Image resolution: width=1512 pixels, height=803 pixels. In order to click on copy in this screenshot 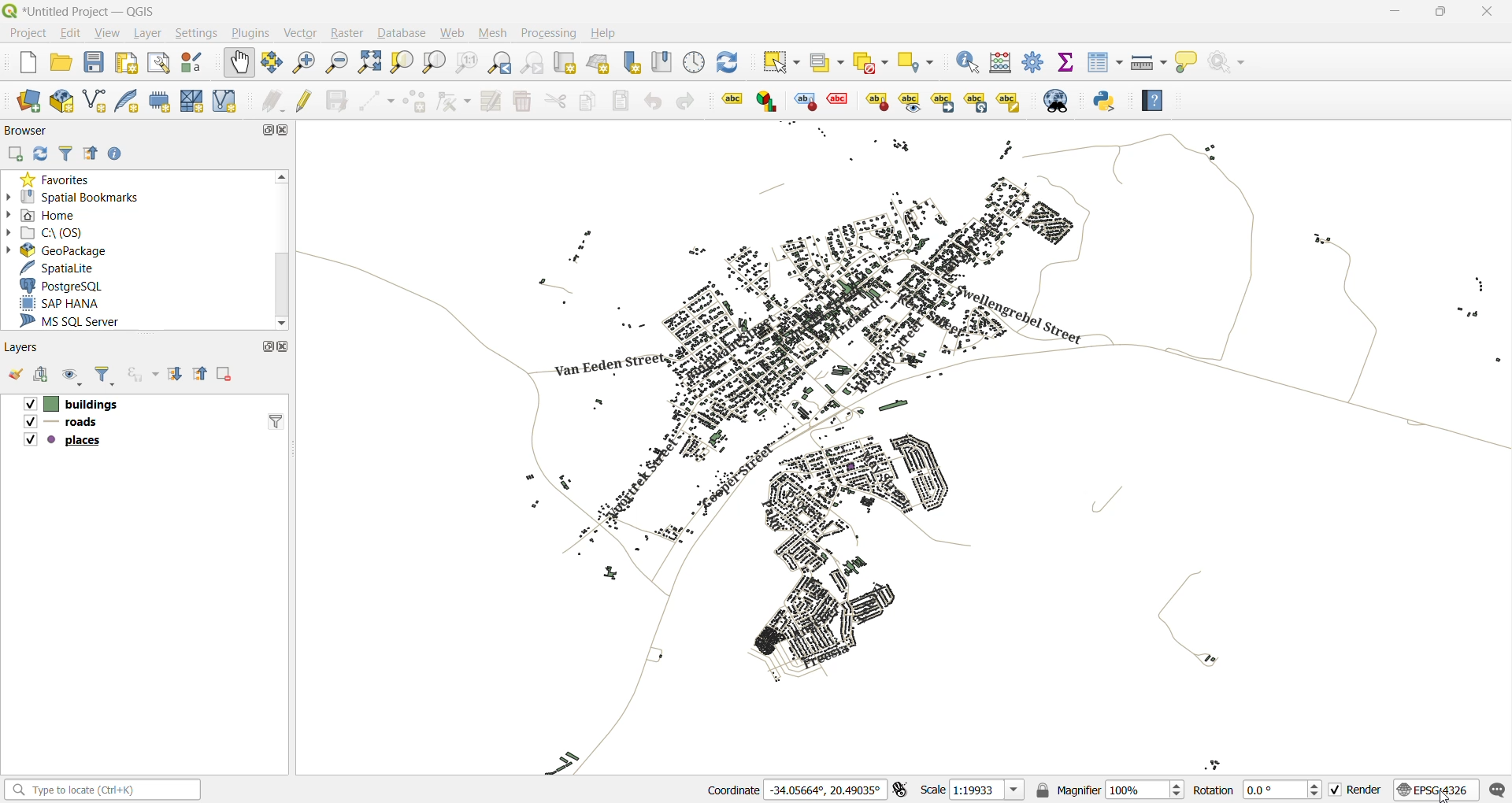, I will do `click(586, 101)`.